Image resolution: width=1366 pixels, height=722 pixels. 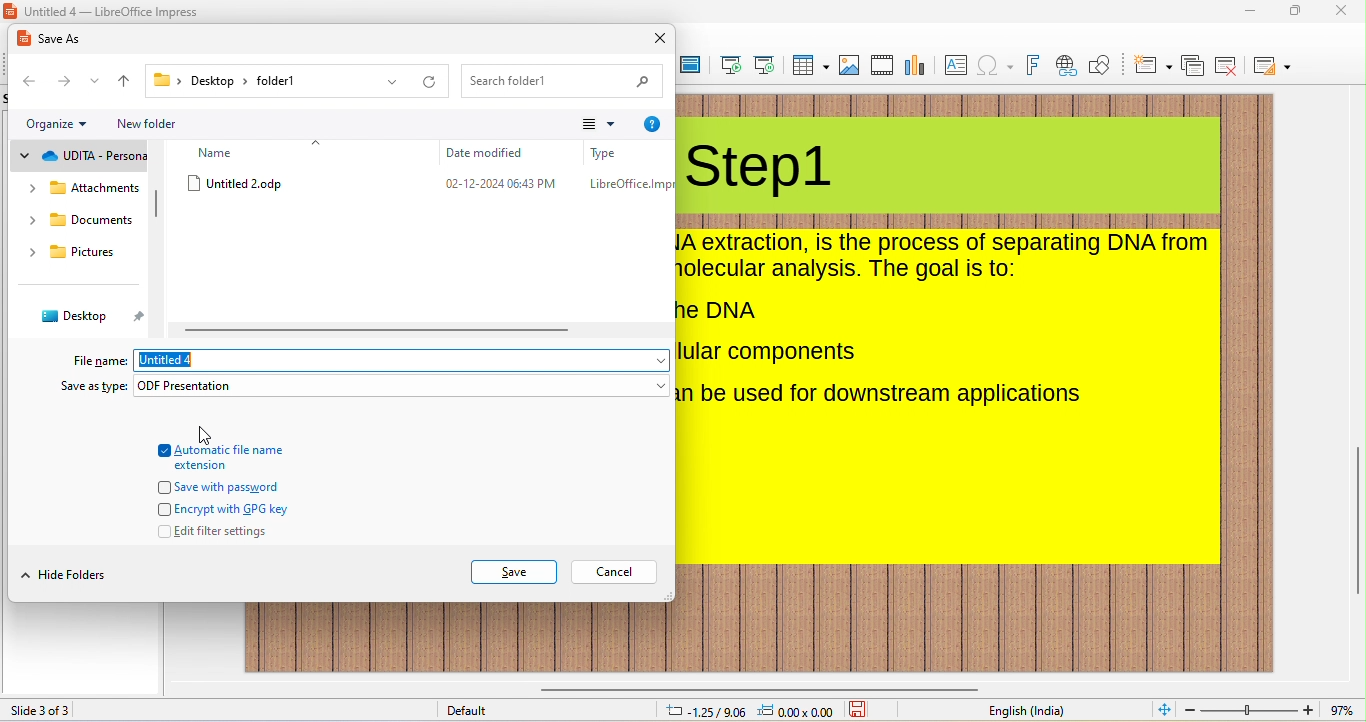 What do you see at coordinates (628, 187) in the screenshot?
I see `type` at bounding box center [628, 187].